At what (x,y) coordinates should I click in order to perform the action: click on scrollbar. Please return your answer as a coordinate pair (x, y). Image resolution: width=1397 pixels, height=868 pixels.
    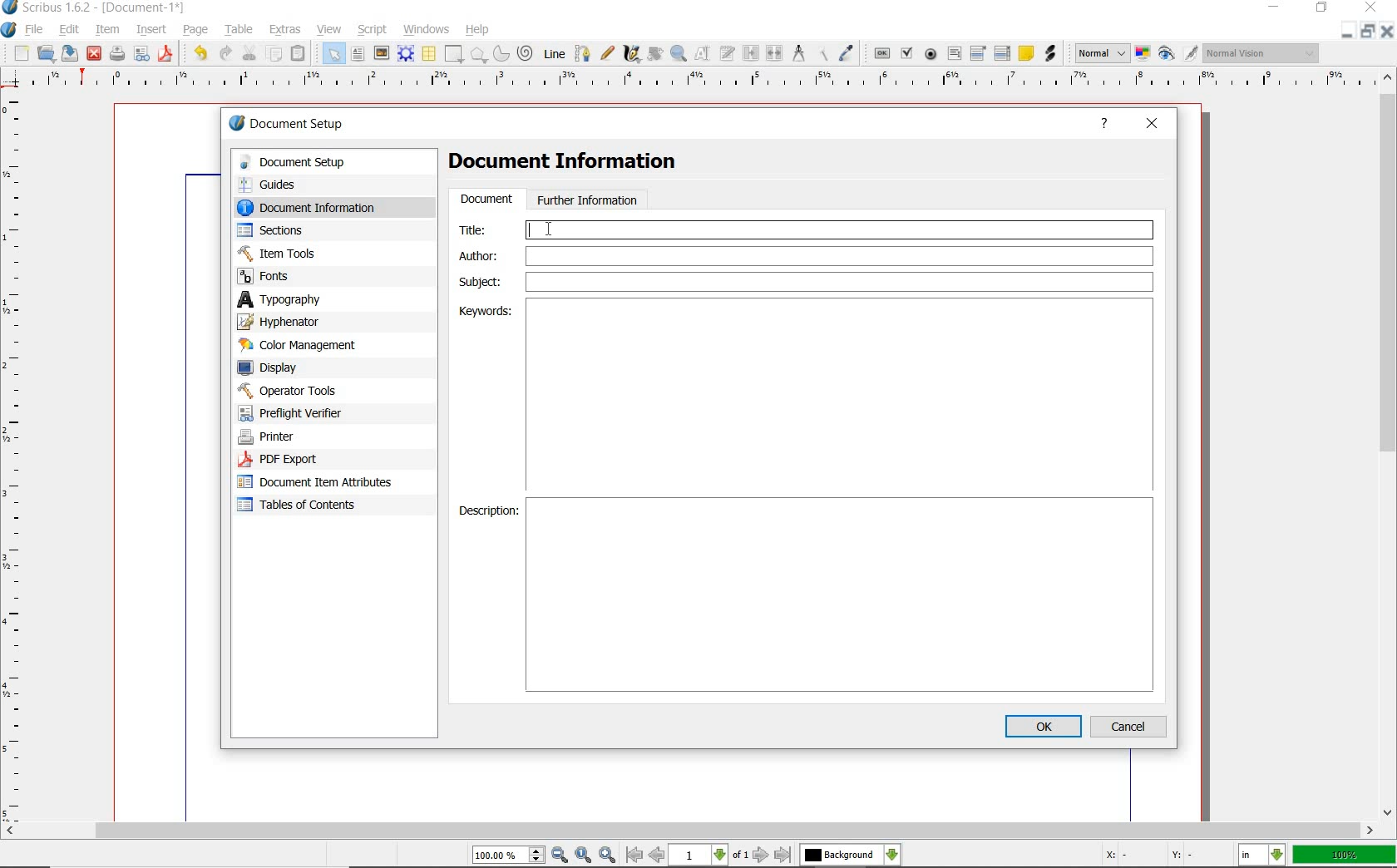
    Looking at the image, I should click on (689, 831).